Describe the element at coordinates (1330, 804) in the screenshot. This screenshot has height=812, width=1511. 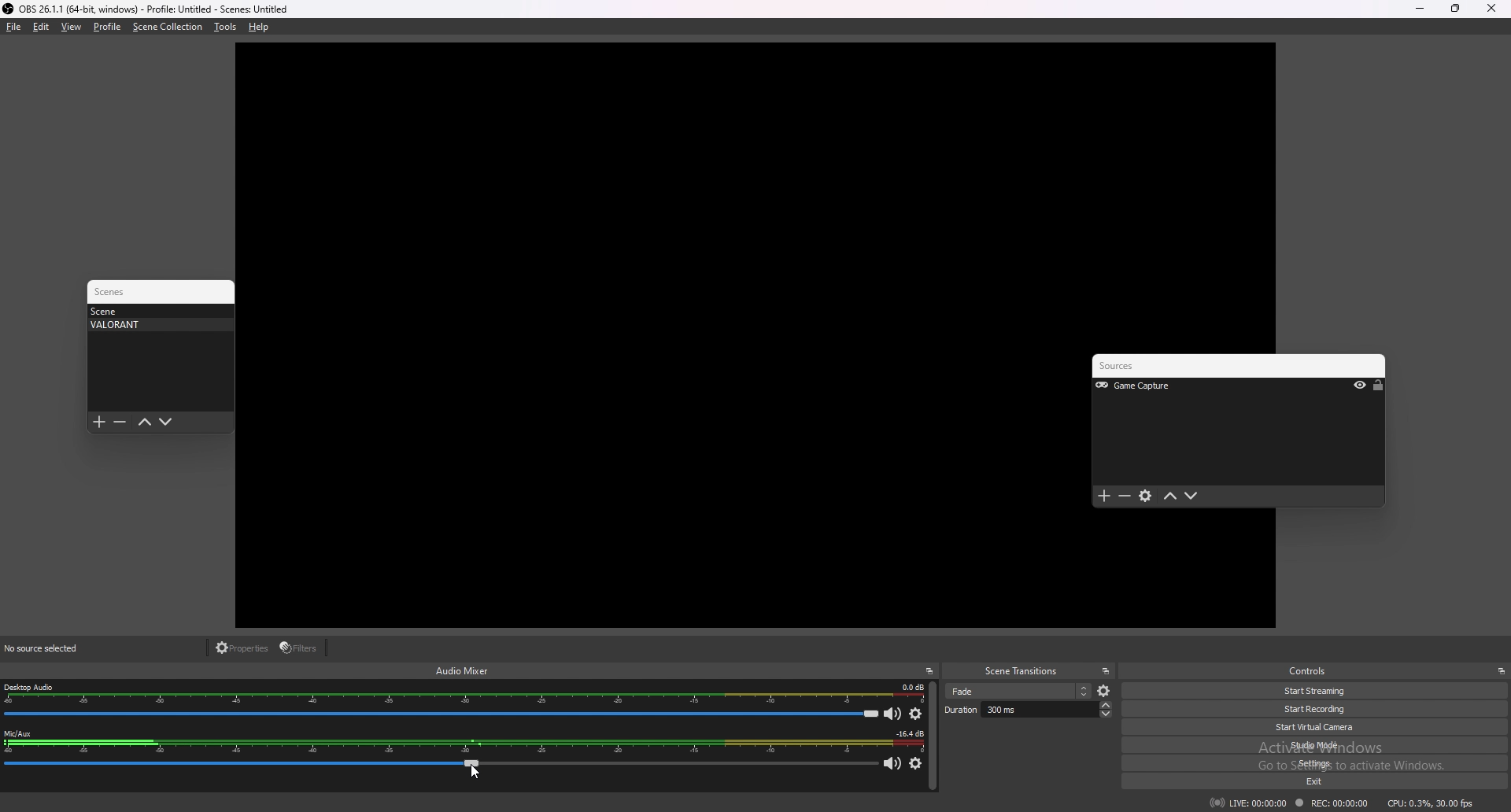
I see `rec 00:00:00` at that location.